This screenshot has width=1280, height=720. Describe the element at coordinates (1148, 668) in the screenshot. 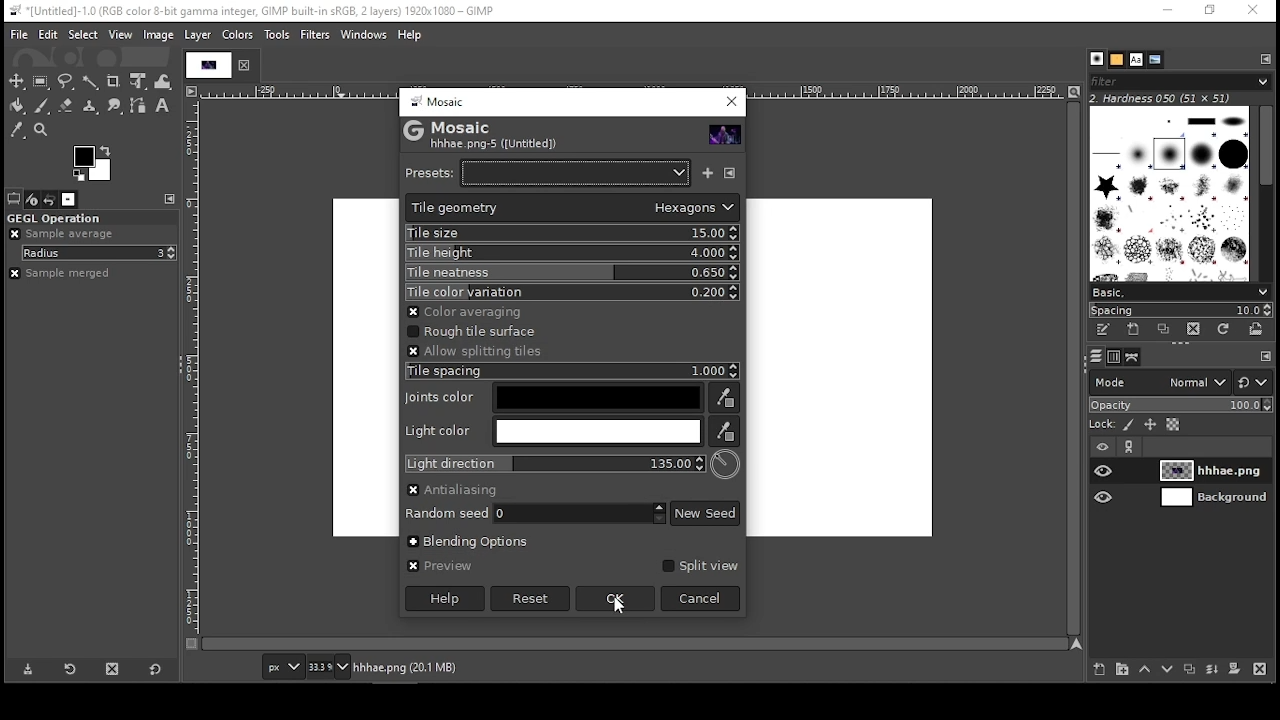

I see `move layer on step up` at that location.